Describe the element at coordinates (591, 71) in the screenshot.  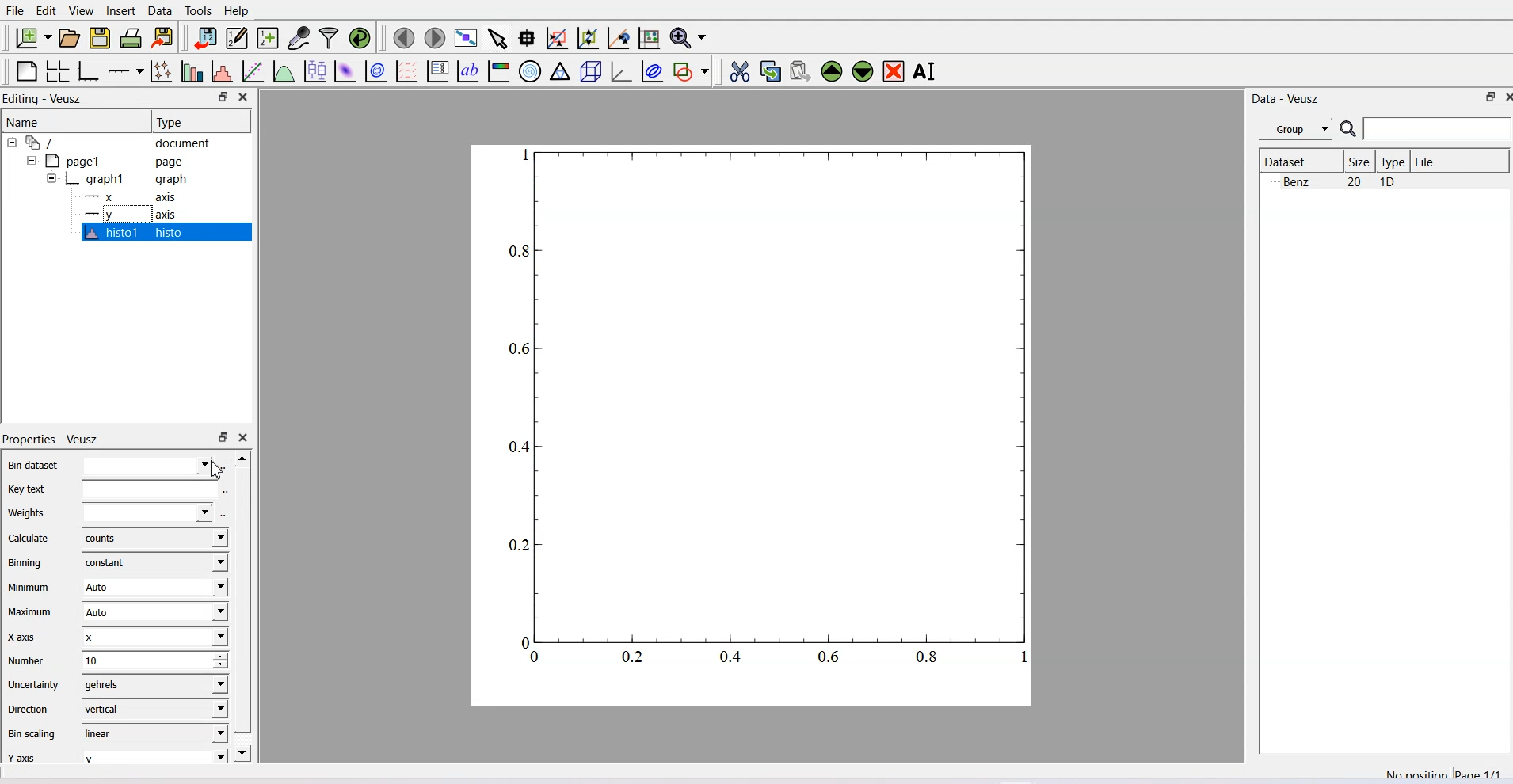
I see `3D Scene` at that location.